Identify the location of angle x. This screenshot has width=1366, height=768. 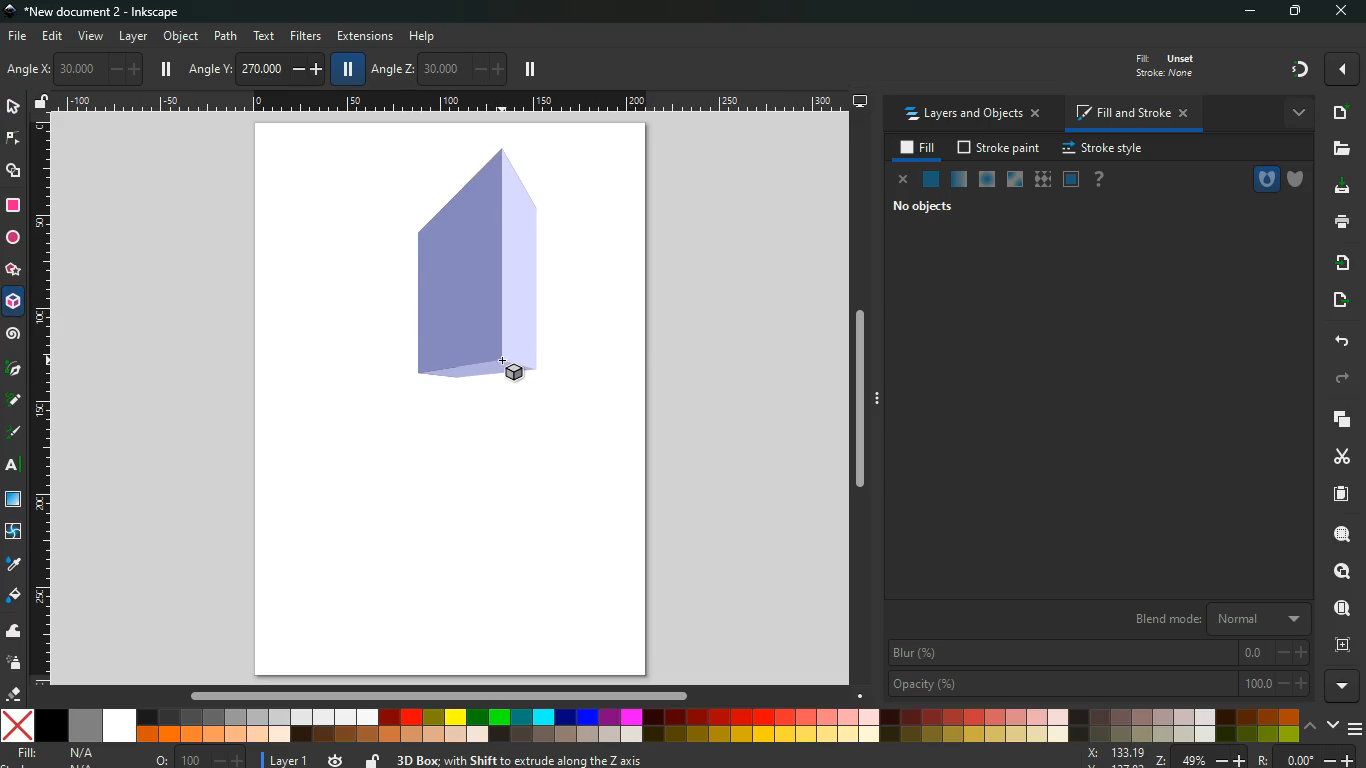
(82, 69).